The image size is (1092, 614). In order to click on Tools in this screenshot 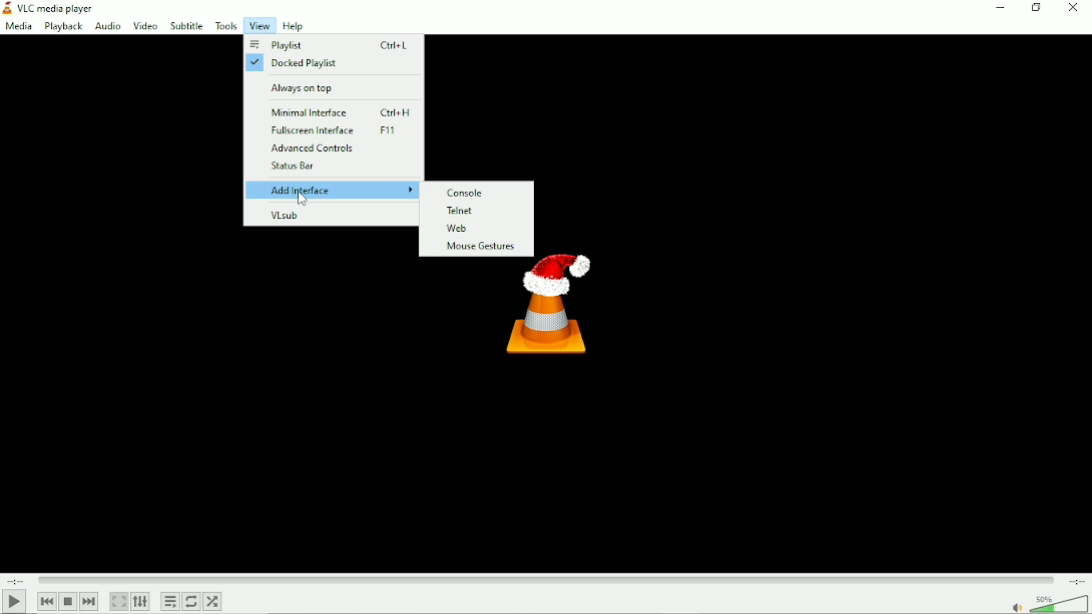, I will do `click(226, 23)`.